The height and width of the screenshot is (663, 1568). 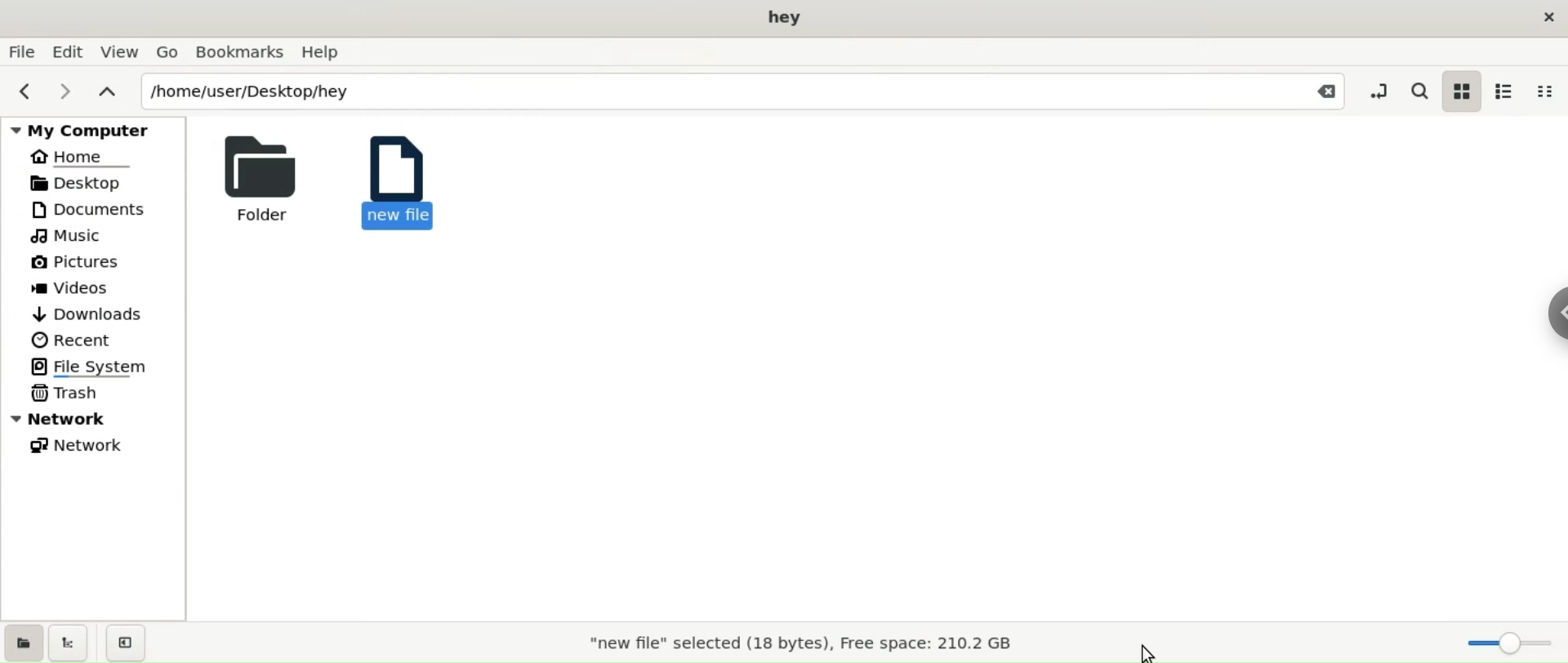 What do you see at coordinates (256, 177) in the screenshot?
I see `Folder` at bounding box center [256, 177].